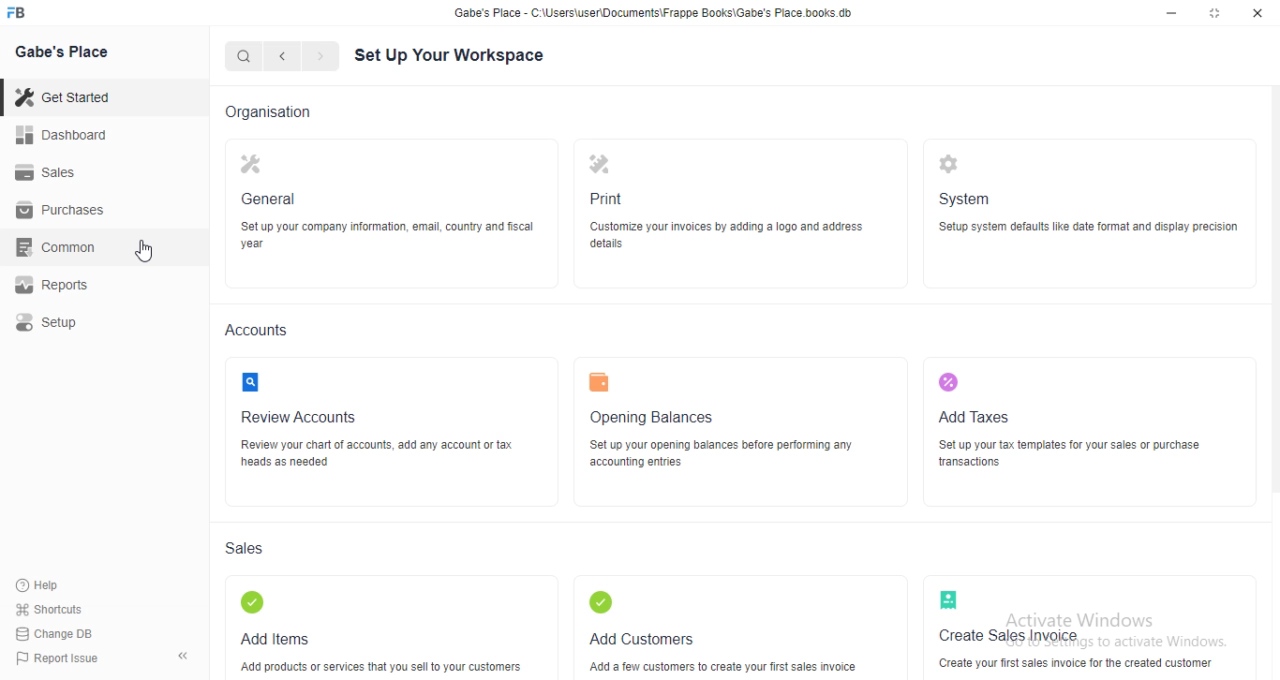 Image resolution: width=1280 pixels, height=680 pixels. Describe the element at coordinates (257, 332) in the screenshot. I see `Accounts` at that location.